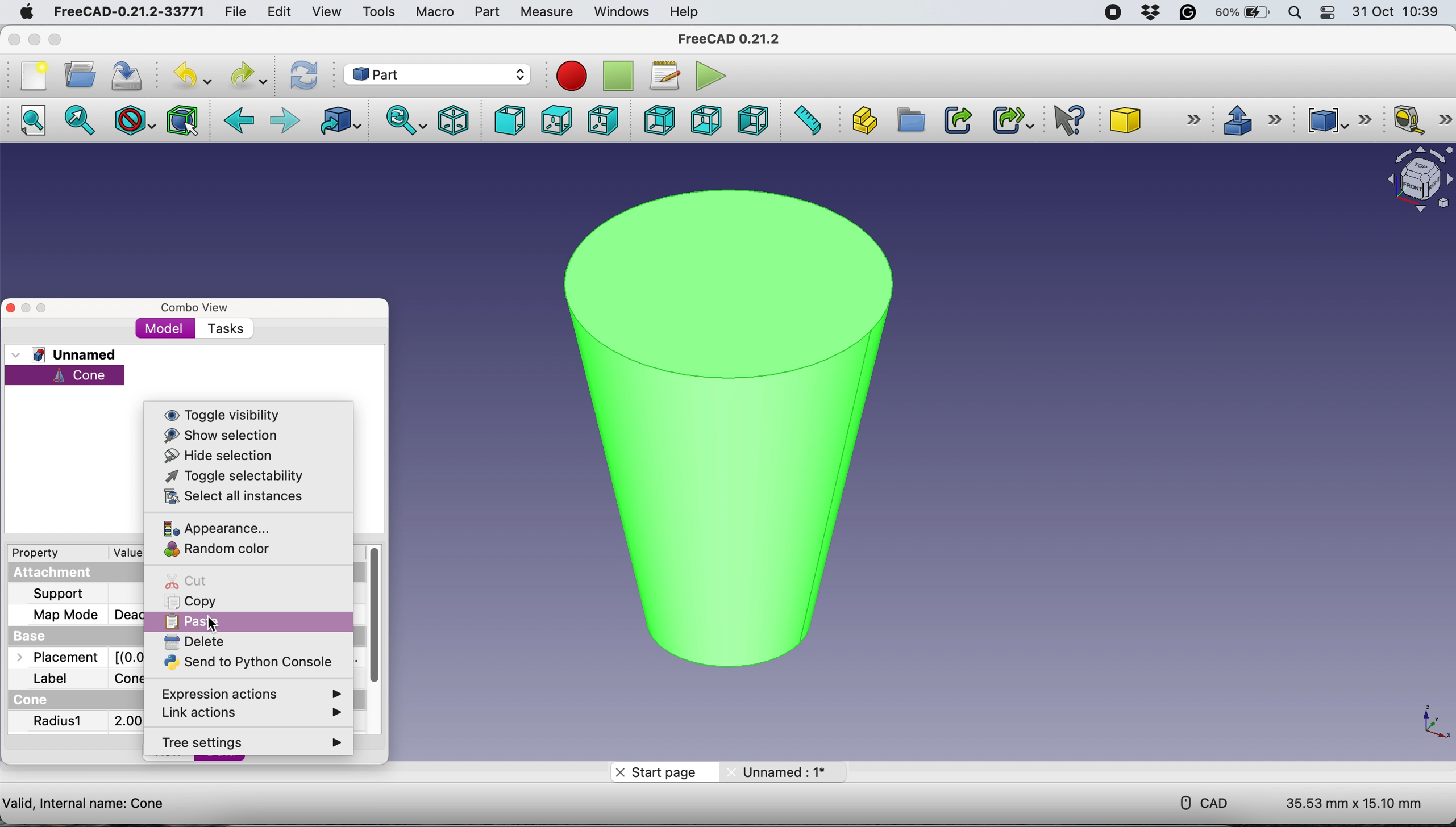 The height and width of the screenshot is (827, 1456). Describe the element at coordinates (664, 771) in the screenshot. I see `start page` at that location.